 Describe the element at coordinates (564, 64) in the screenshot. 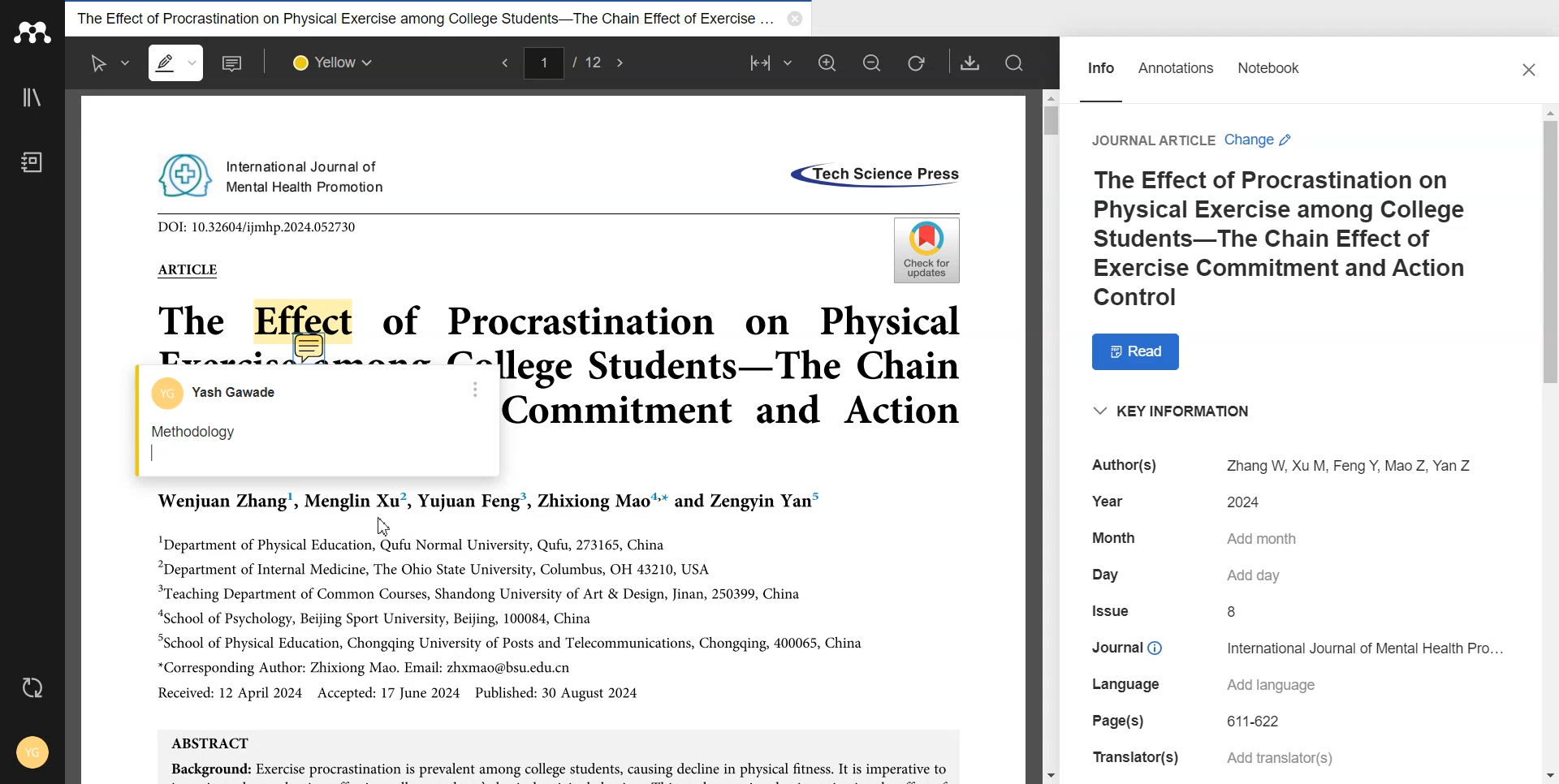

I see `1/12` at that location.